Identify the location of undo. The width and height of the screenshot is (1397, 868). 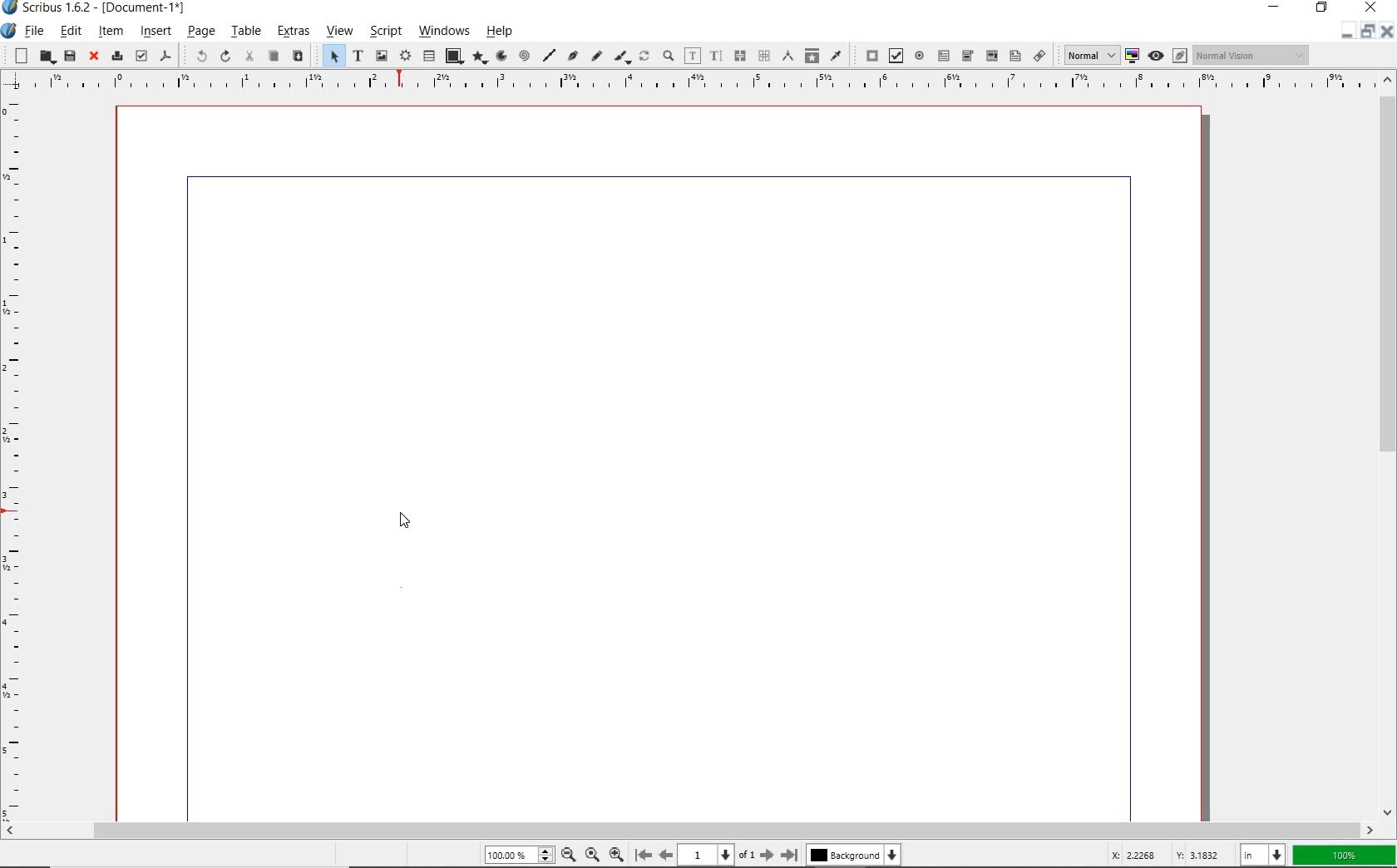
(195, 55).